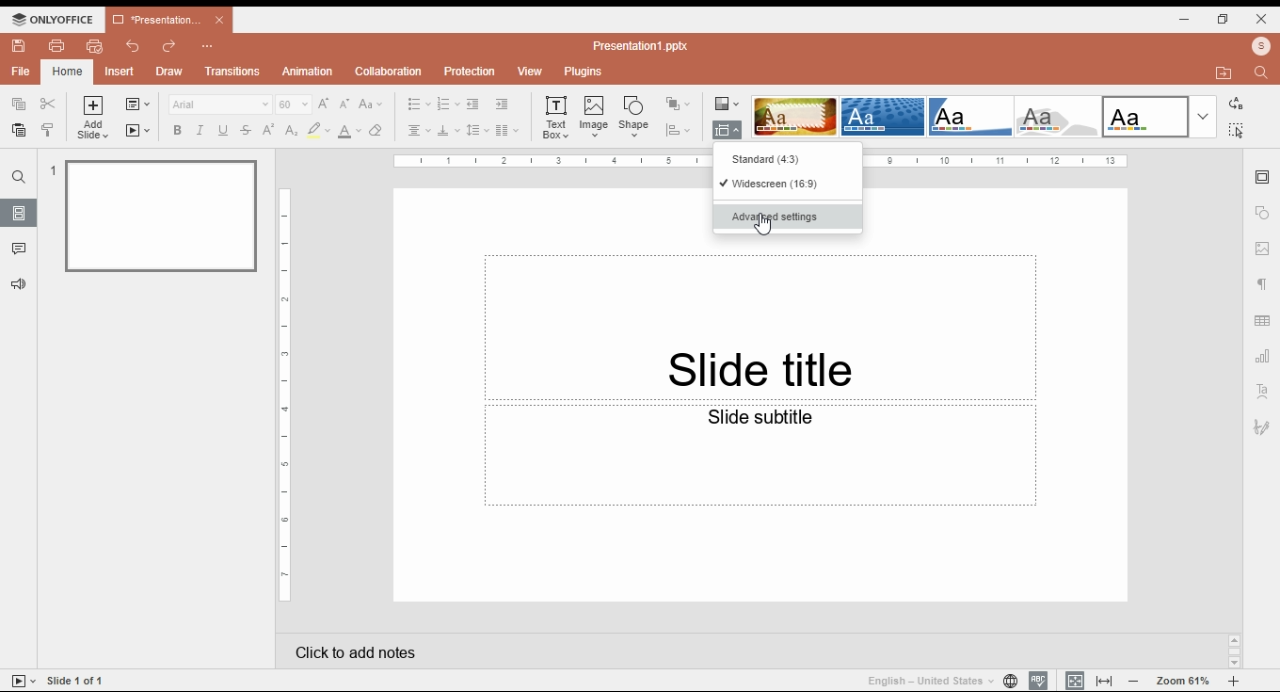 The image size is (1280, 692). What do you see at coordinates (169, 20) in the screenshot?
I see `*Presentation1` at bounding box center [169, 20].